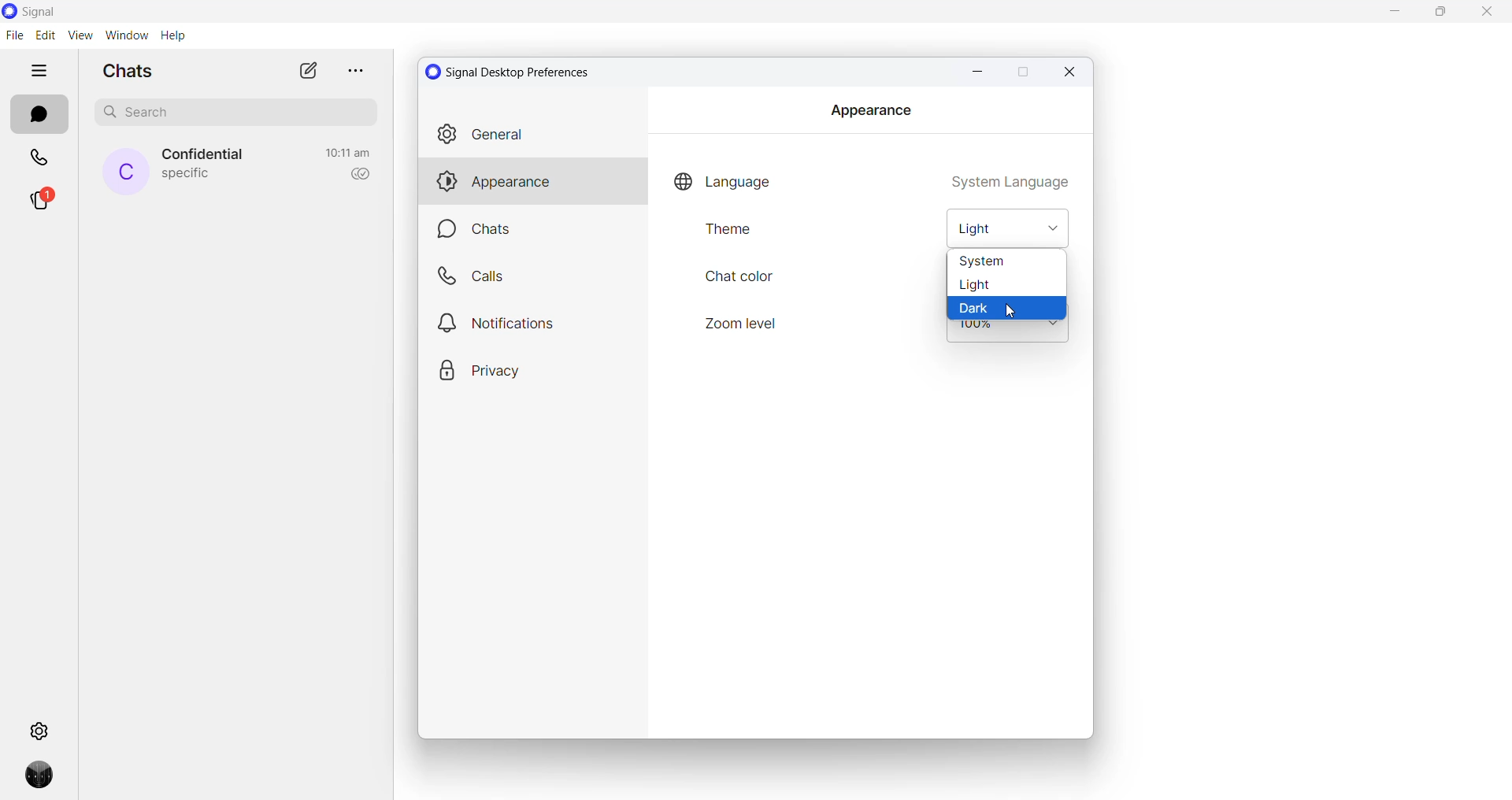 This screenshot has height=800, width=1512. I want to click on close, so click(1071, 72).